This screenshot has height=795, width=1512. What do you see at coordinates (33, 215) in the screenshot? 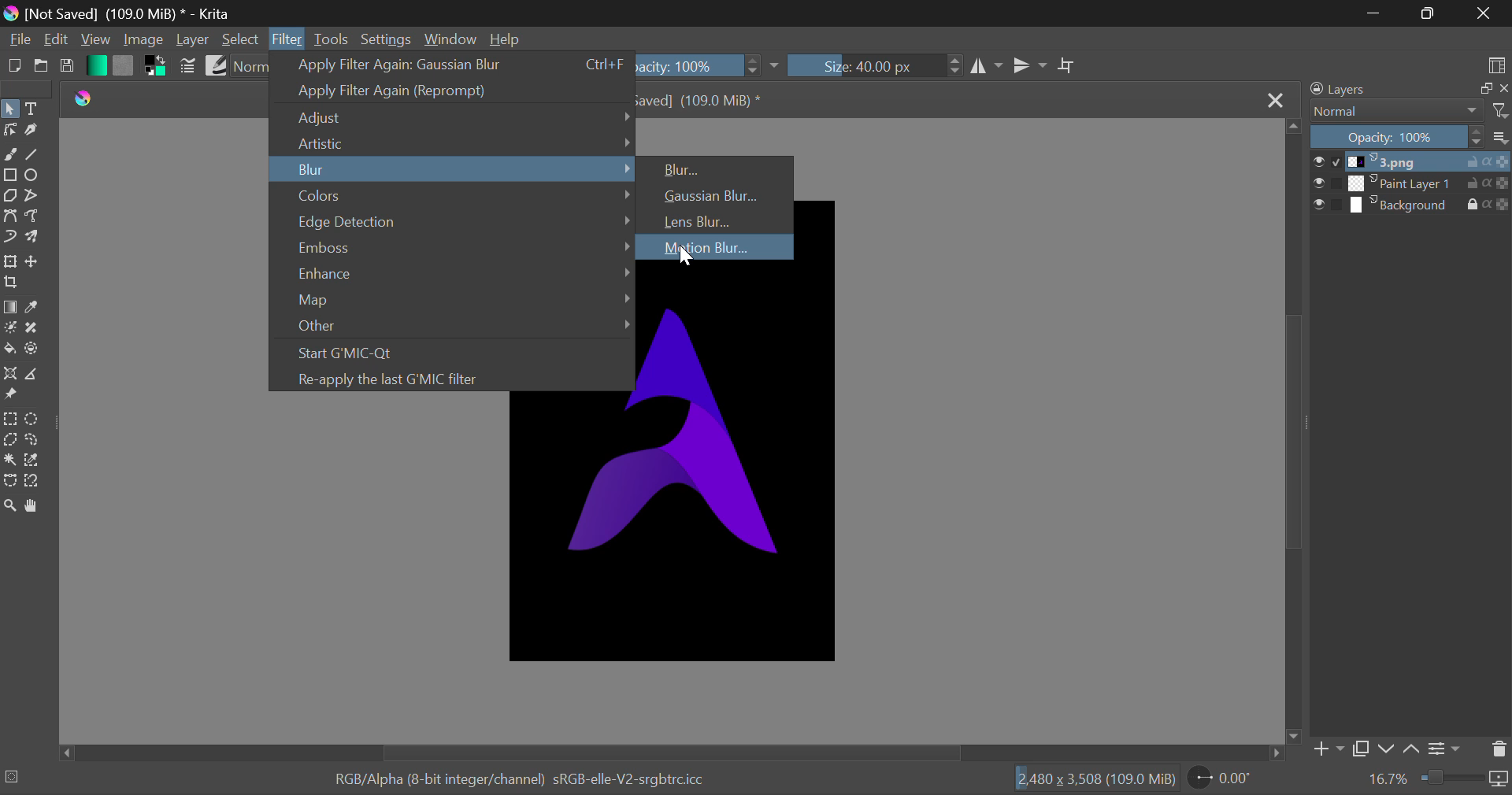
I see `Freehand Path Tool` at bounding box center [33, 215].